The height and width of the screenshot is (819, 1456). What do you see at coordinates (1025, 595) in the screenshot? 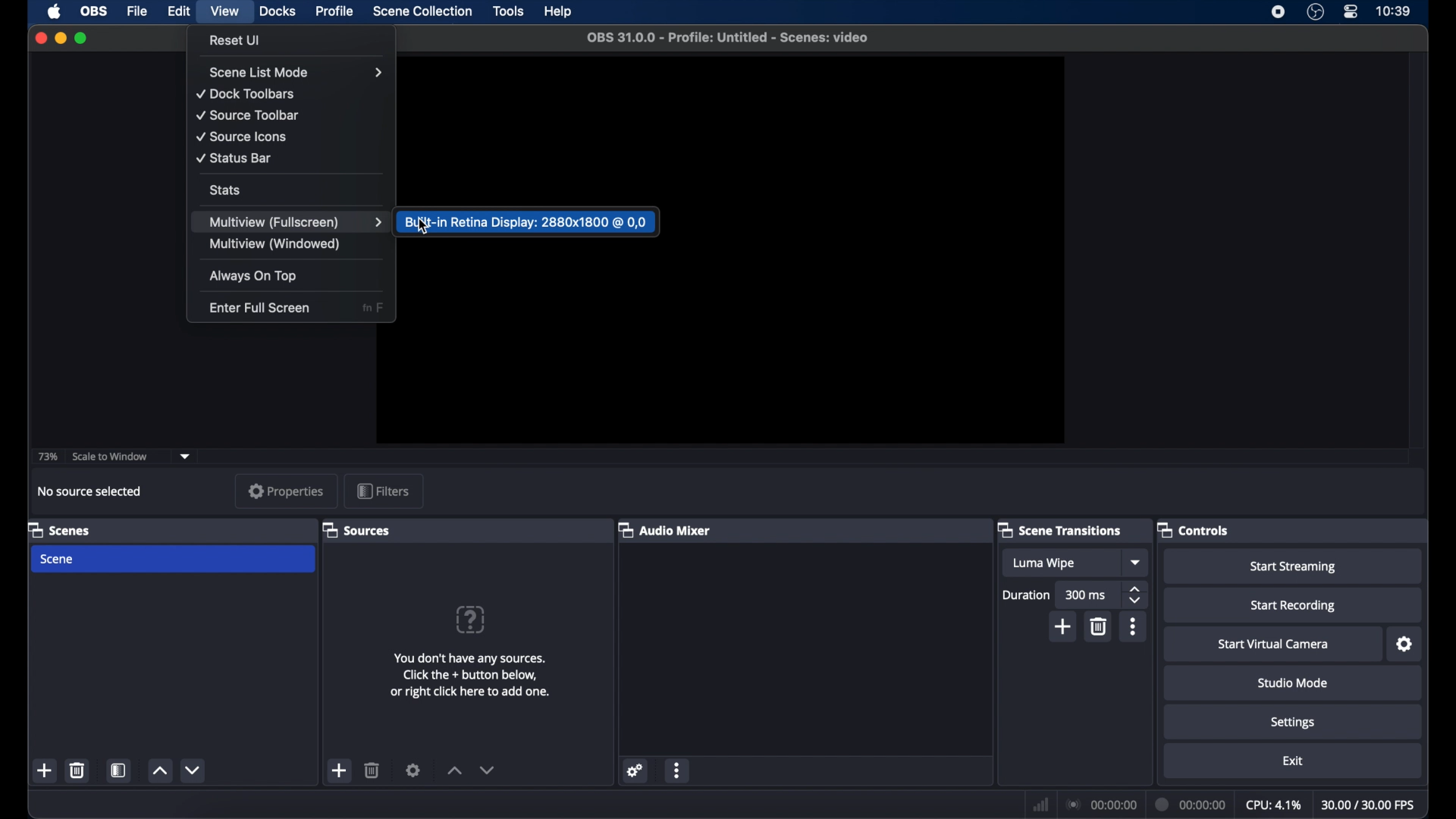
I see `duration` at bounding box center [1025, 595].